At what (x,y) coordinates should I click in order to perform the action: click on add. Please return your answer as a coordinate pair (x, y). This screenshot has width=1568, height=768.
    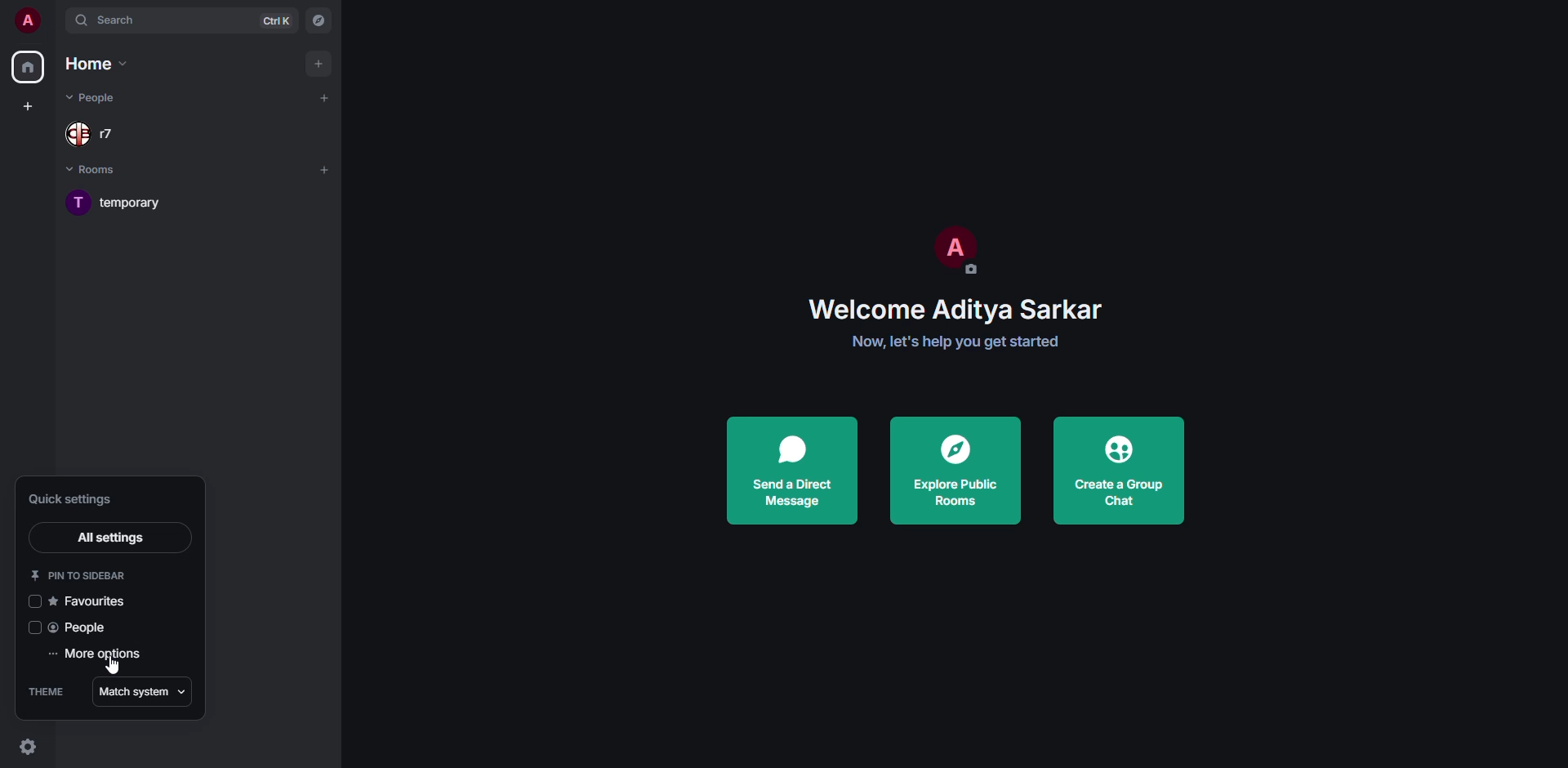
    Looking at the image, I should click on (329, 170).